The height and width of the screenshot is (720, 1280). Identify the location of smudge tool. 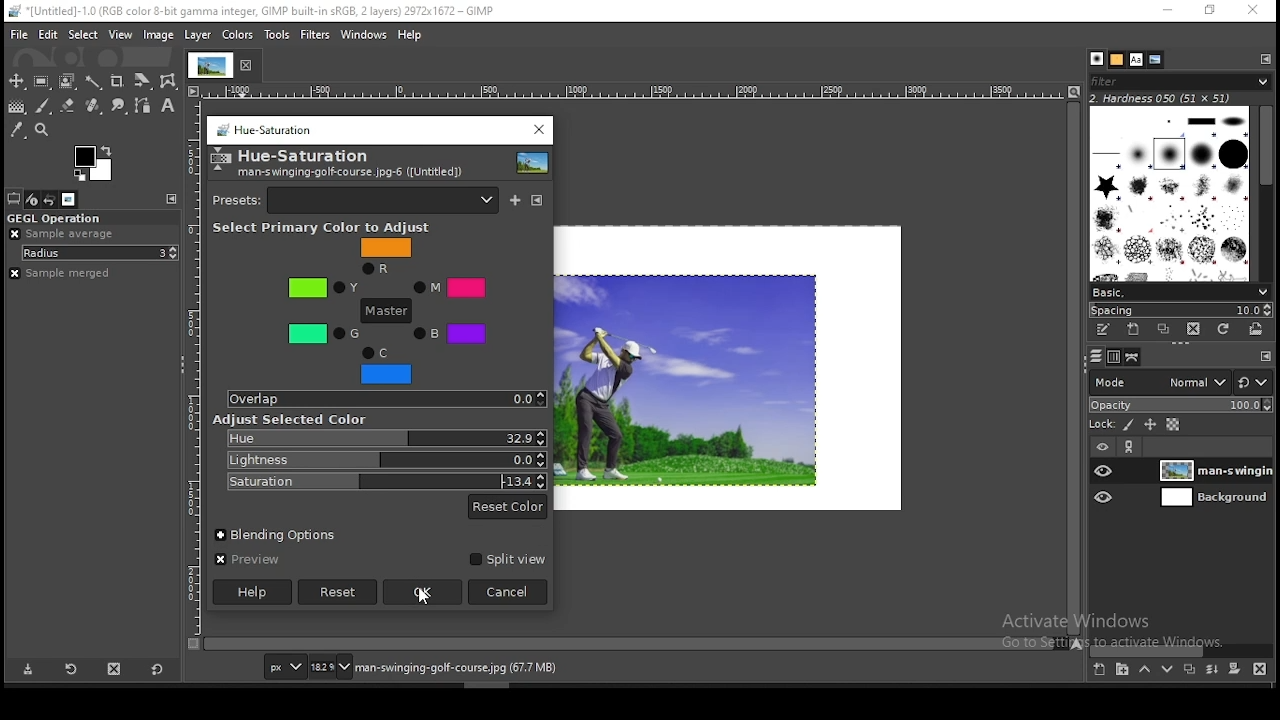
(124, 106).